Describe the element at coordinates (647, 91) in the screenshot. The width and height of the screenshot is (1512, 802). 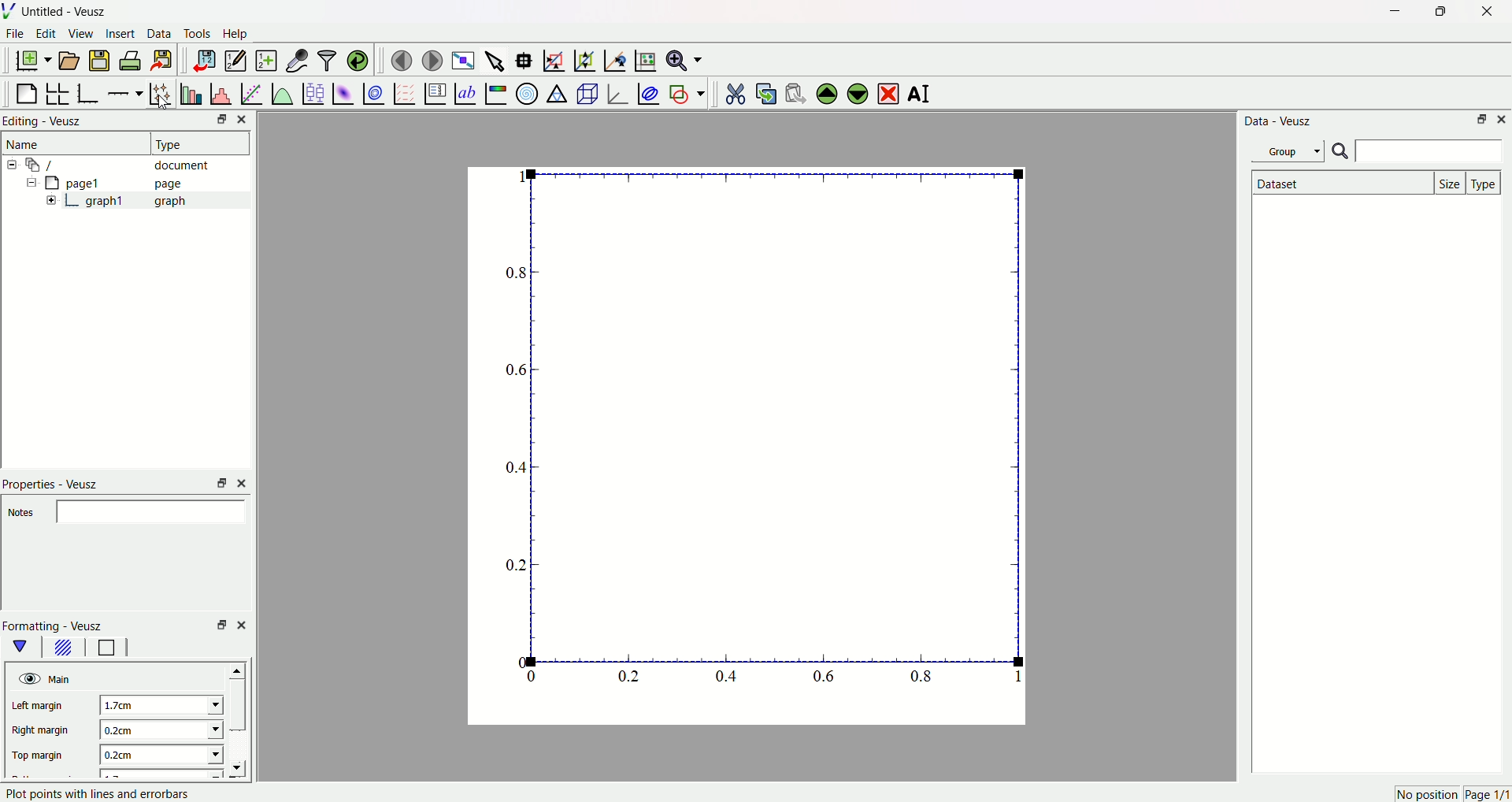
I see `plot covariance ellipses` at that location.